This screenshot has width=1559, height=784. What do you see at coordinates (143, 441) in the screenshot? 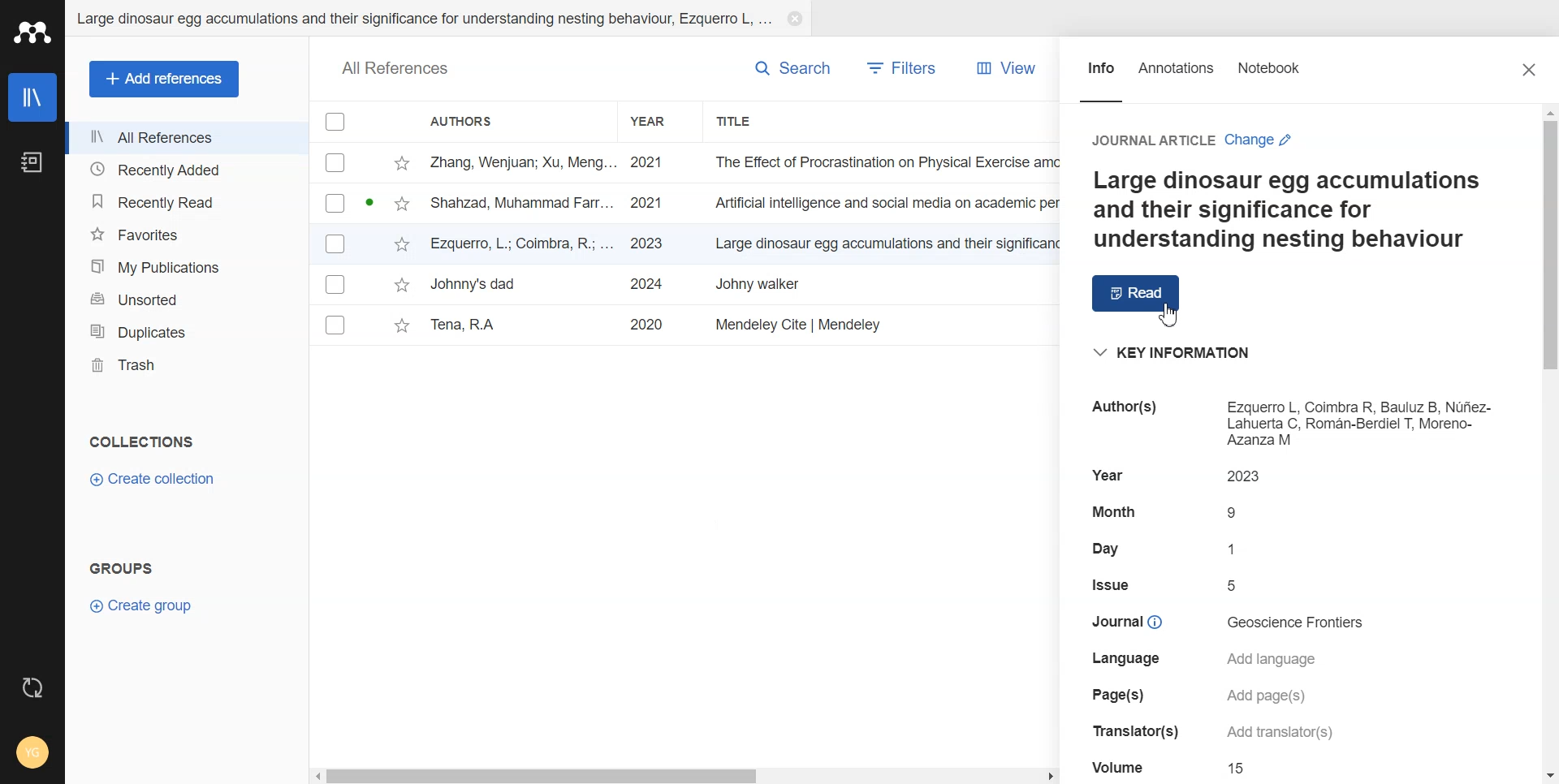
I see `Text` at bounding box center [143, 441].